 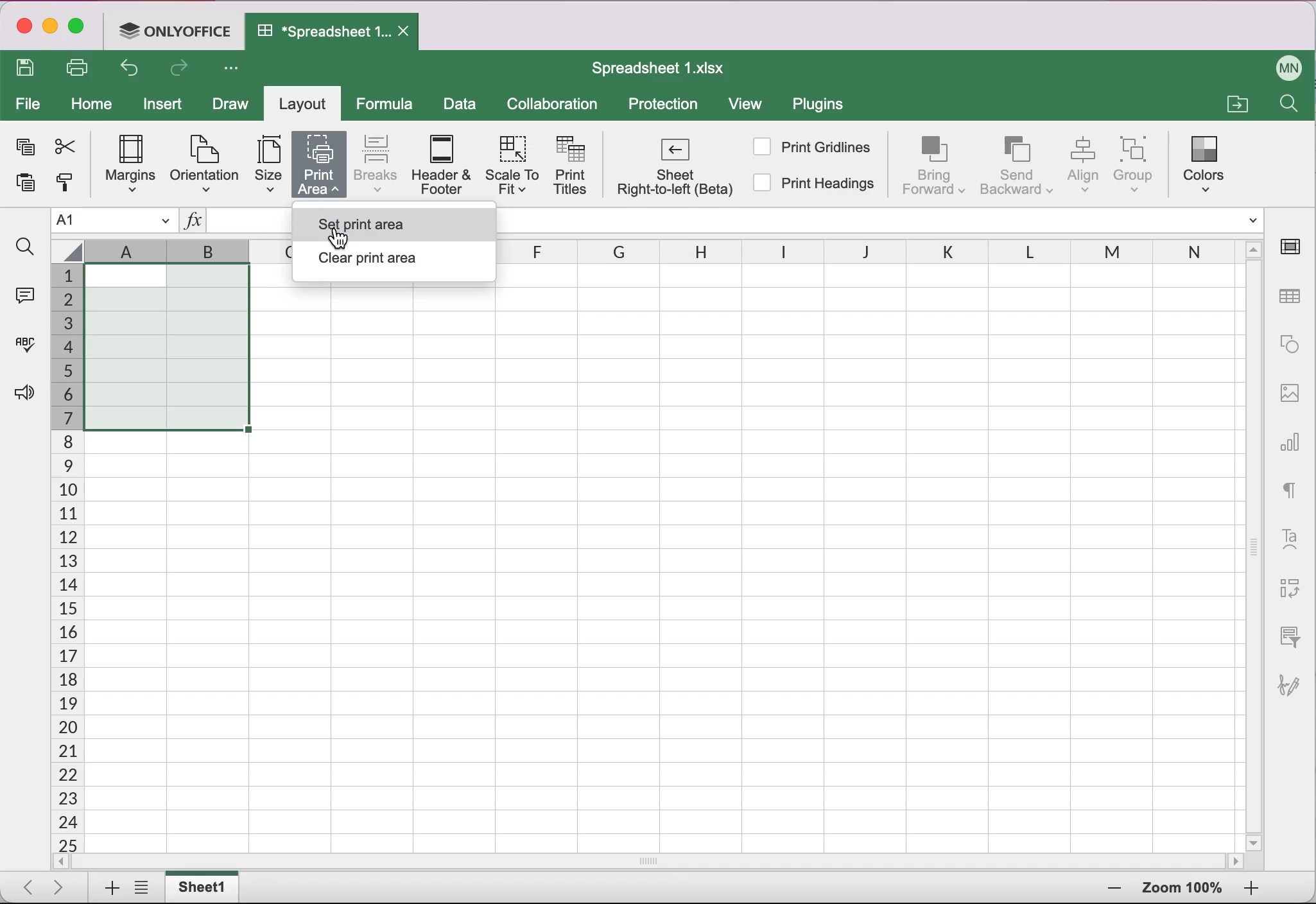 What do you see at coordinates (392, 262) in the screenshot?
I see `clear print area` at bounding box center [392, 262].